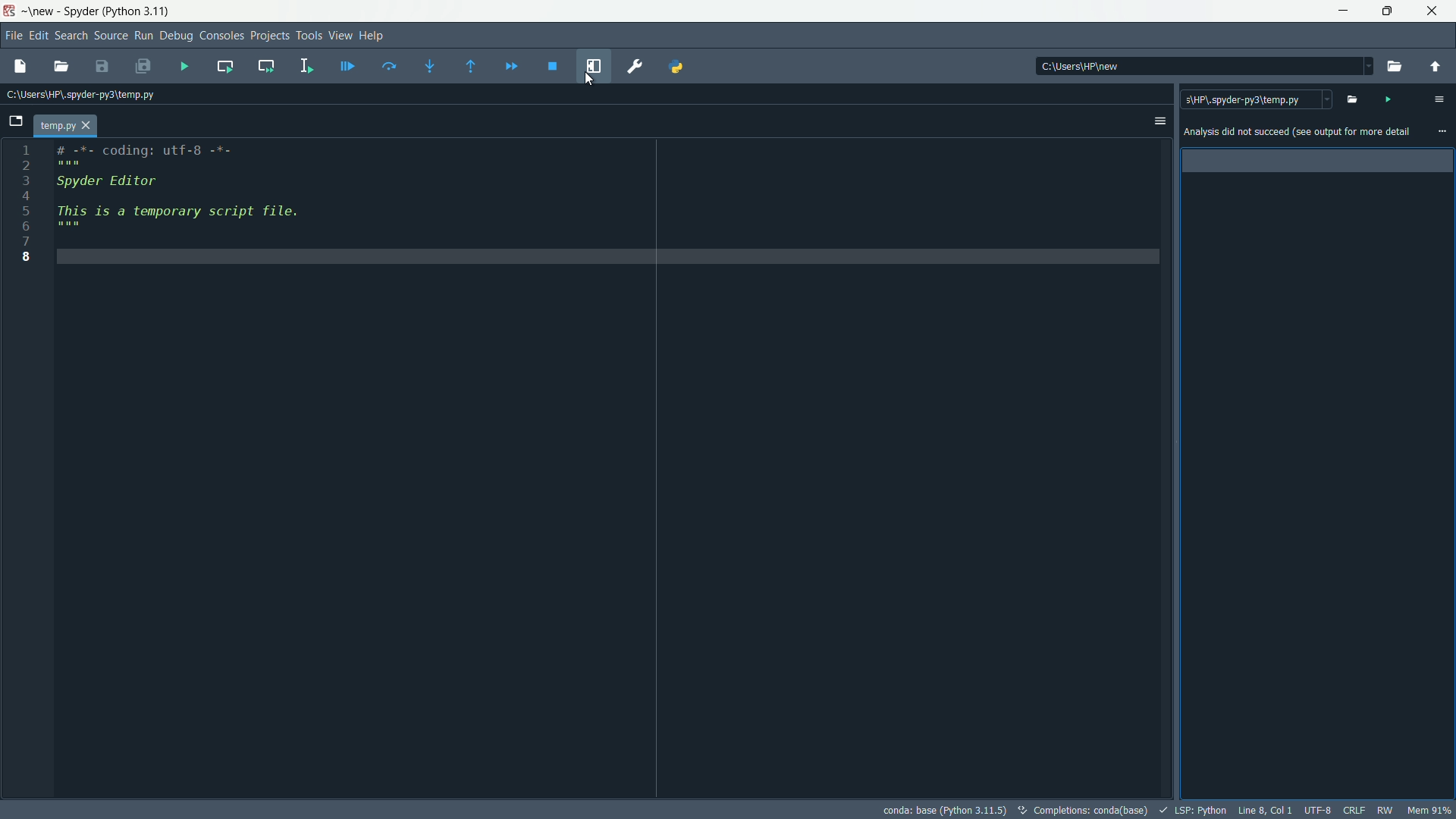  I want to click on S\HP\ spyder-py3\temp.py, so click(1259, 102).